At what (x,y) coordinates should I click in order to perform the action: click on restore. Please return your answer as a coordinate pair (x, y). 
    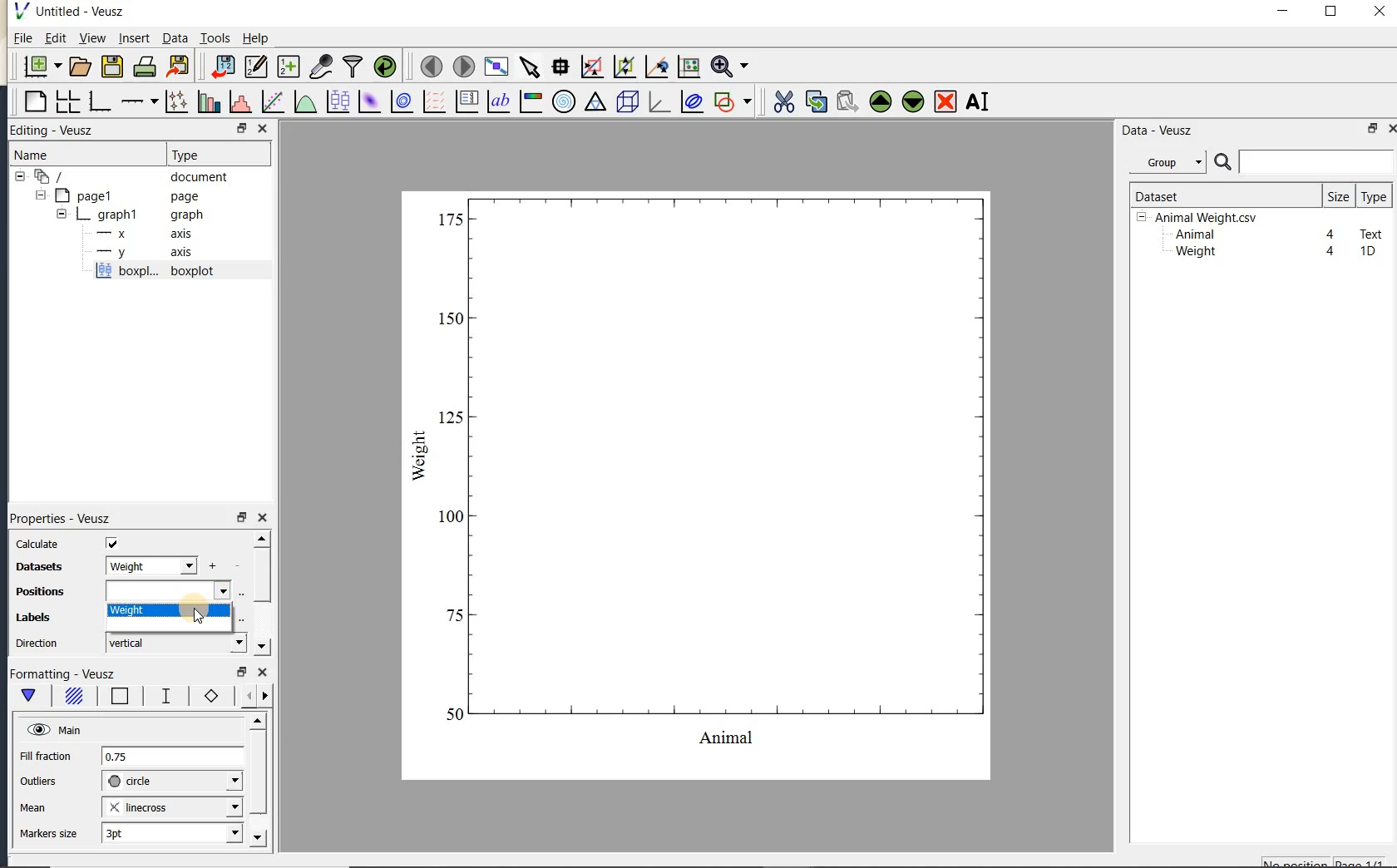
    Looking at the image, I should click on (243, 673).